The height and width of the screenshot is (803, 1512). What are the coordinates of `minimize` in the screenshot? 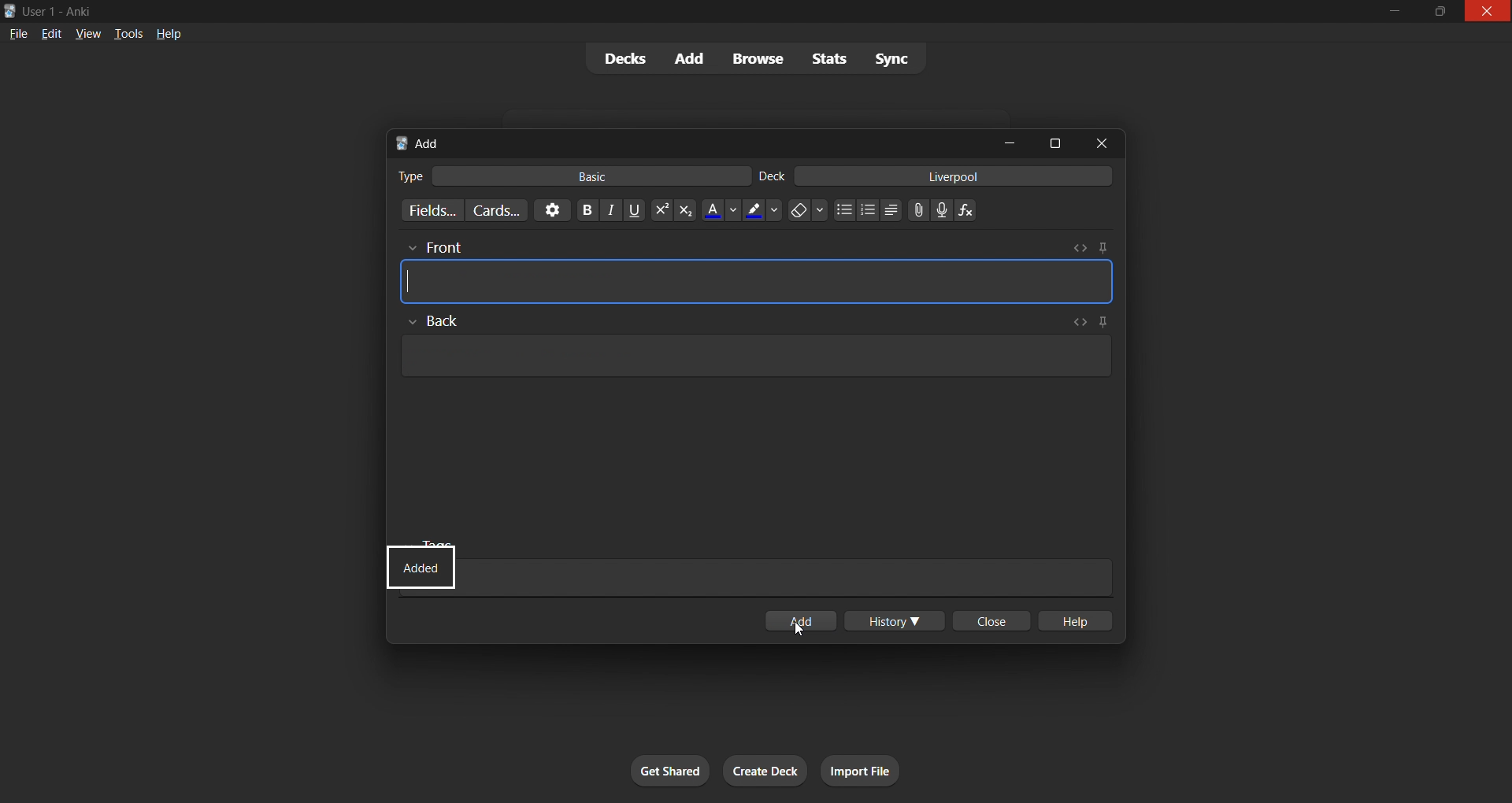 It's located at (1394, 11).